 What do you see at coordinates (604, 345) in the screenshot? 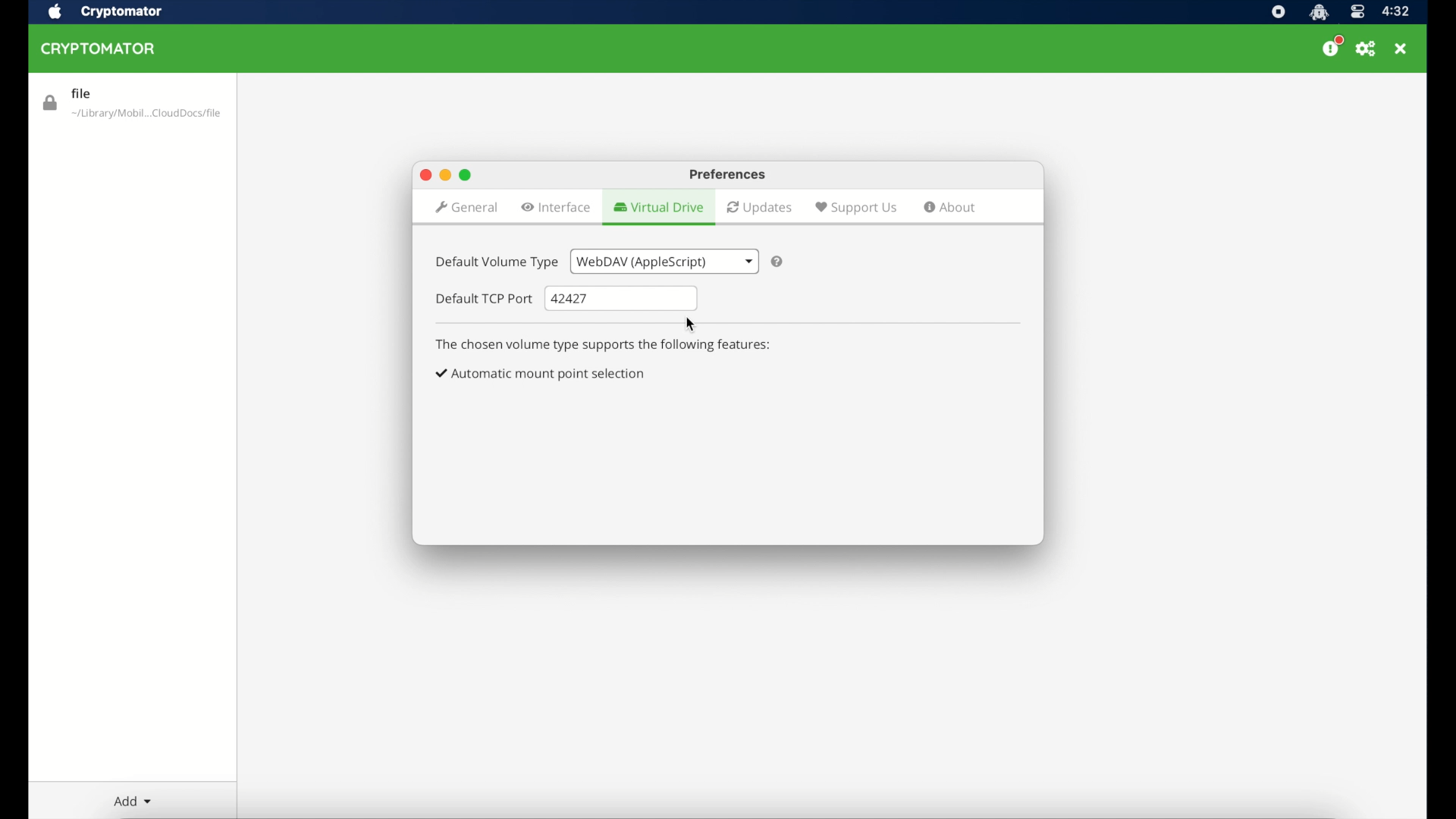
I see `info` at bounding box center [604, 345].